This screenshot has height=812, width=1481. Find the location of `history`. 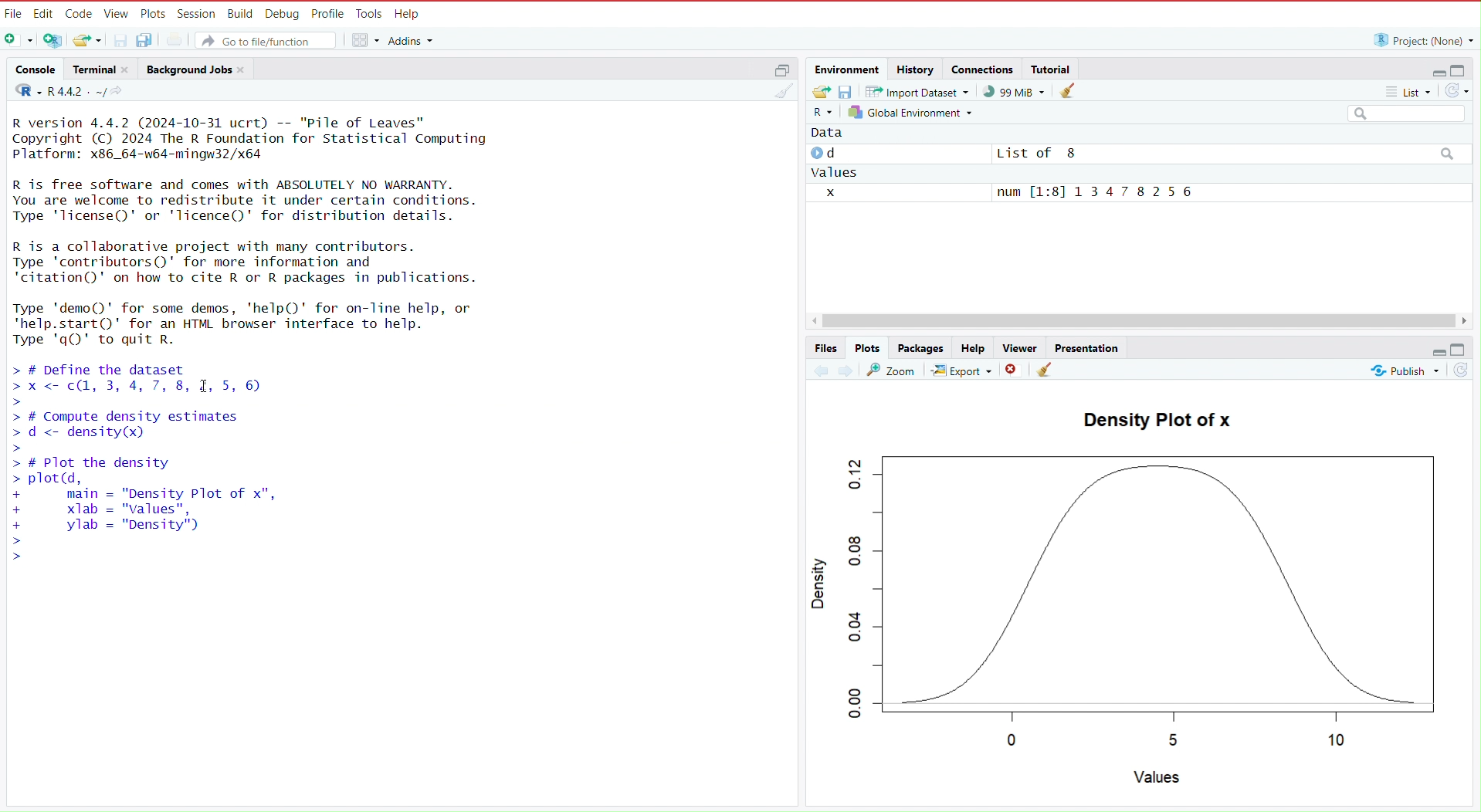

history is located at coordinates (915, 69).